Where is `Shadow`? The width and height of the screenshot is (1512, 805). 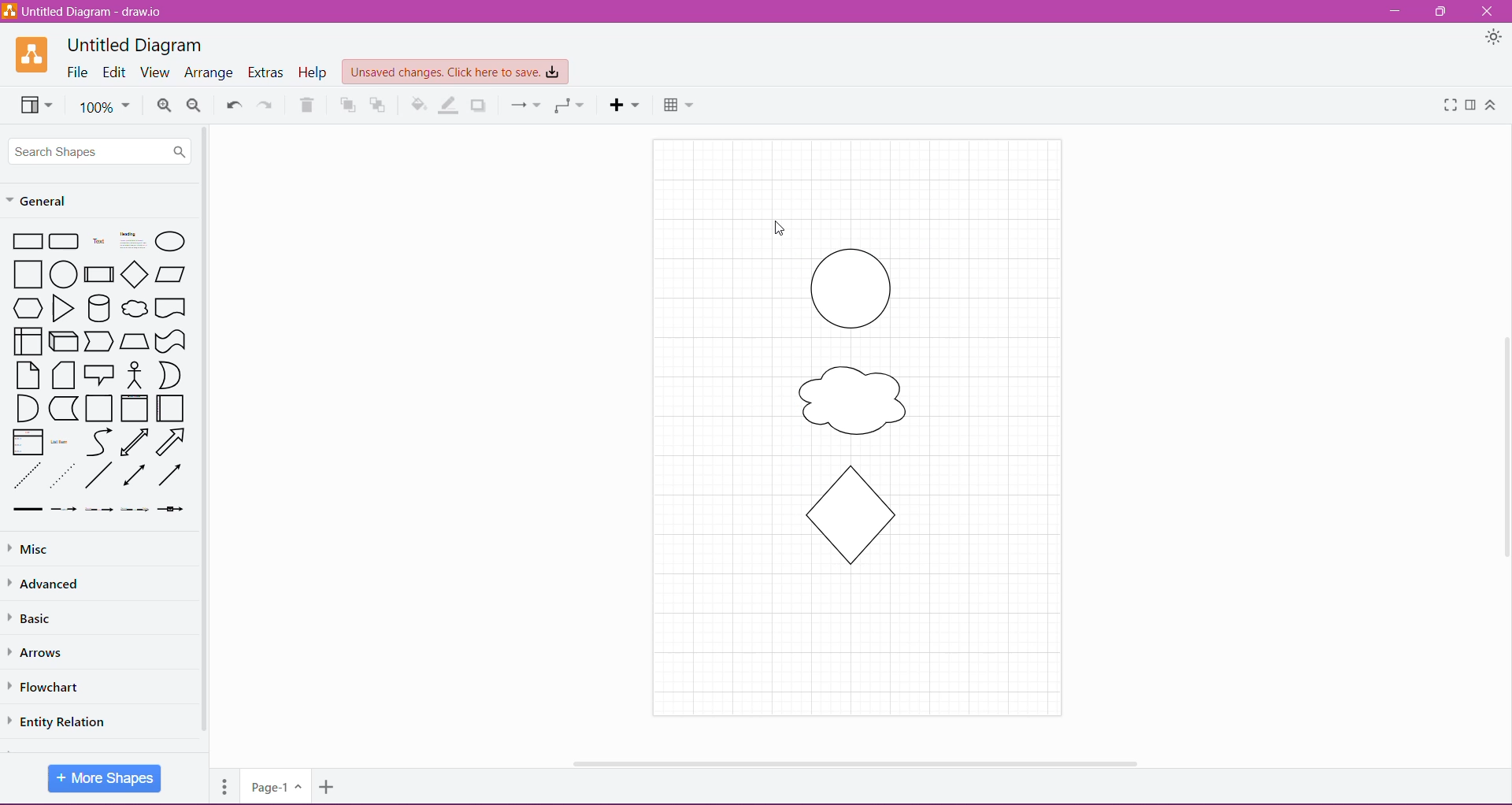
Shadow is located at coordinates (480, 105).